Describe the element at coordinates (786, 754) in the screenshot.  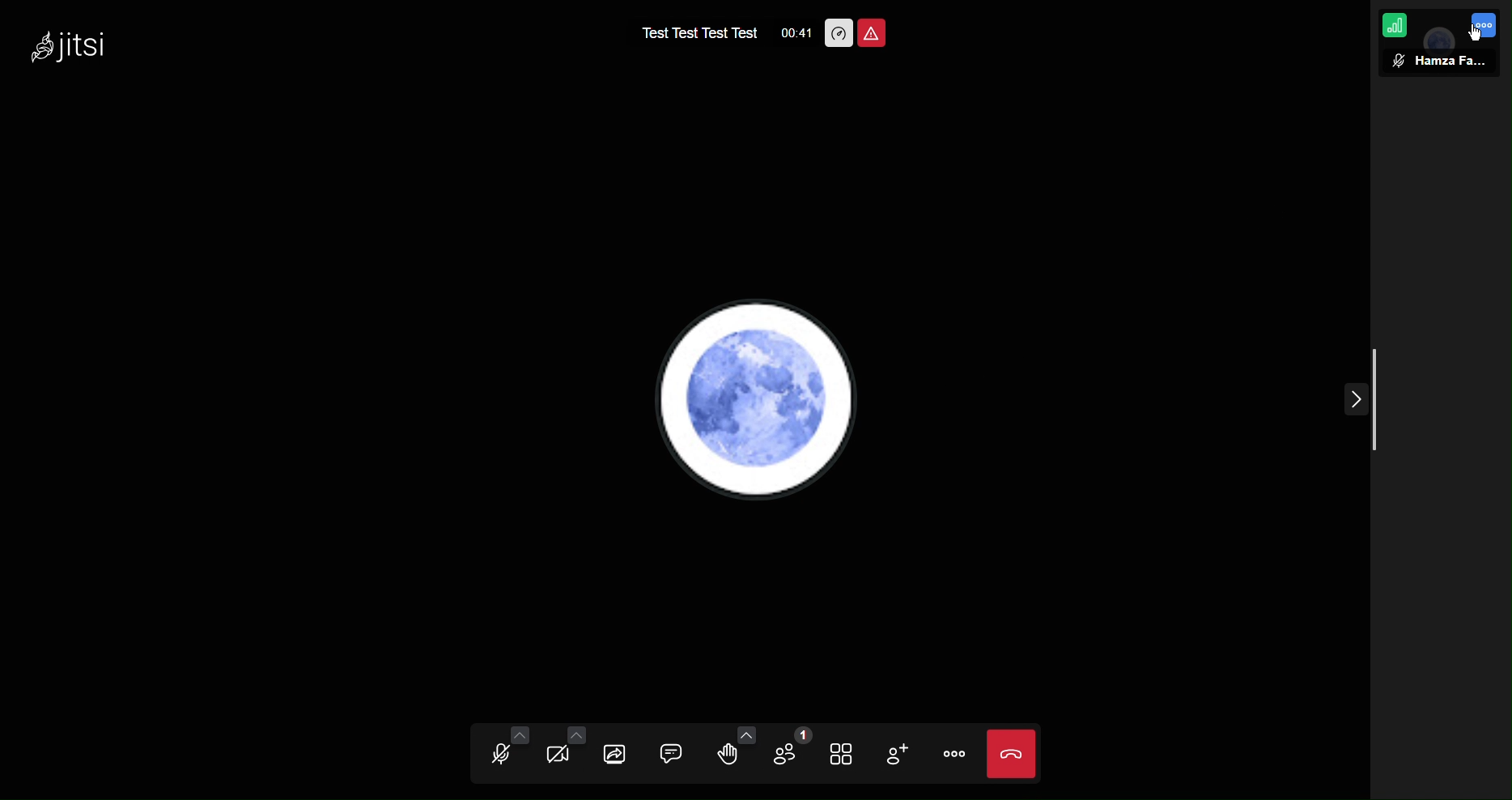
I see `Participants` at that location.